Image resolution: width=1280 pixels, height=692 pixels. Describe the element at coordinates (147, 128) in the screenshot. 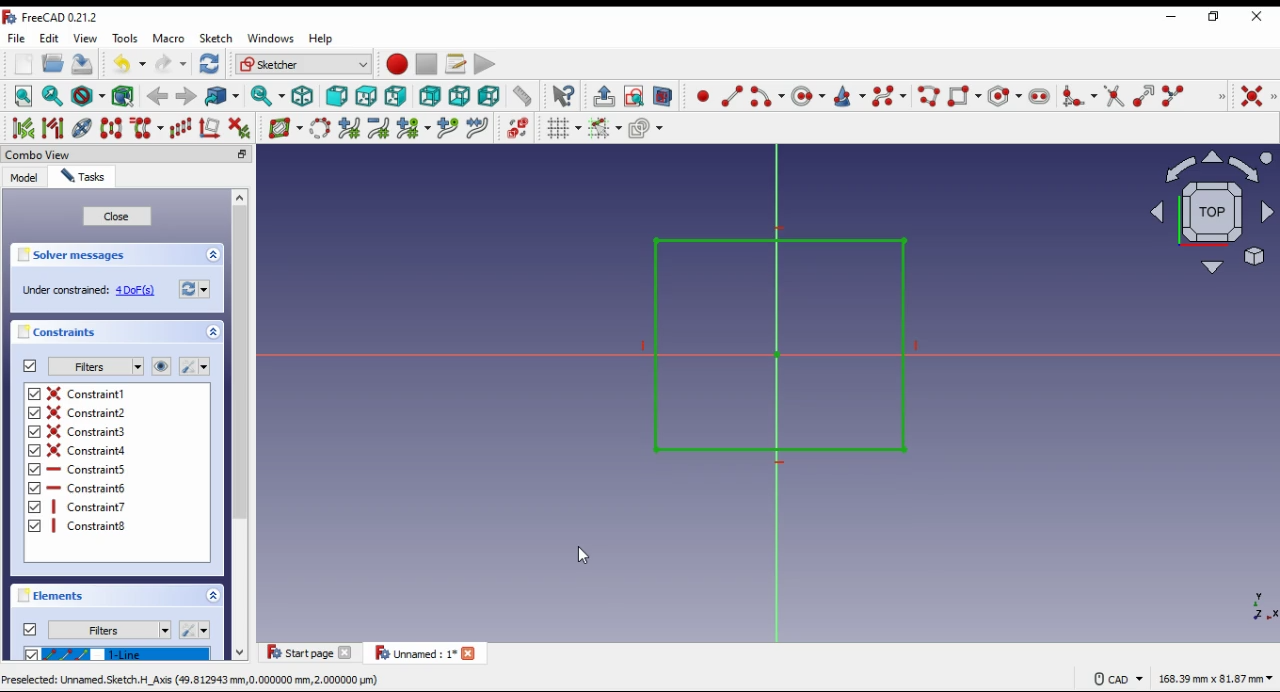

I see `clone` at that location.